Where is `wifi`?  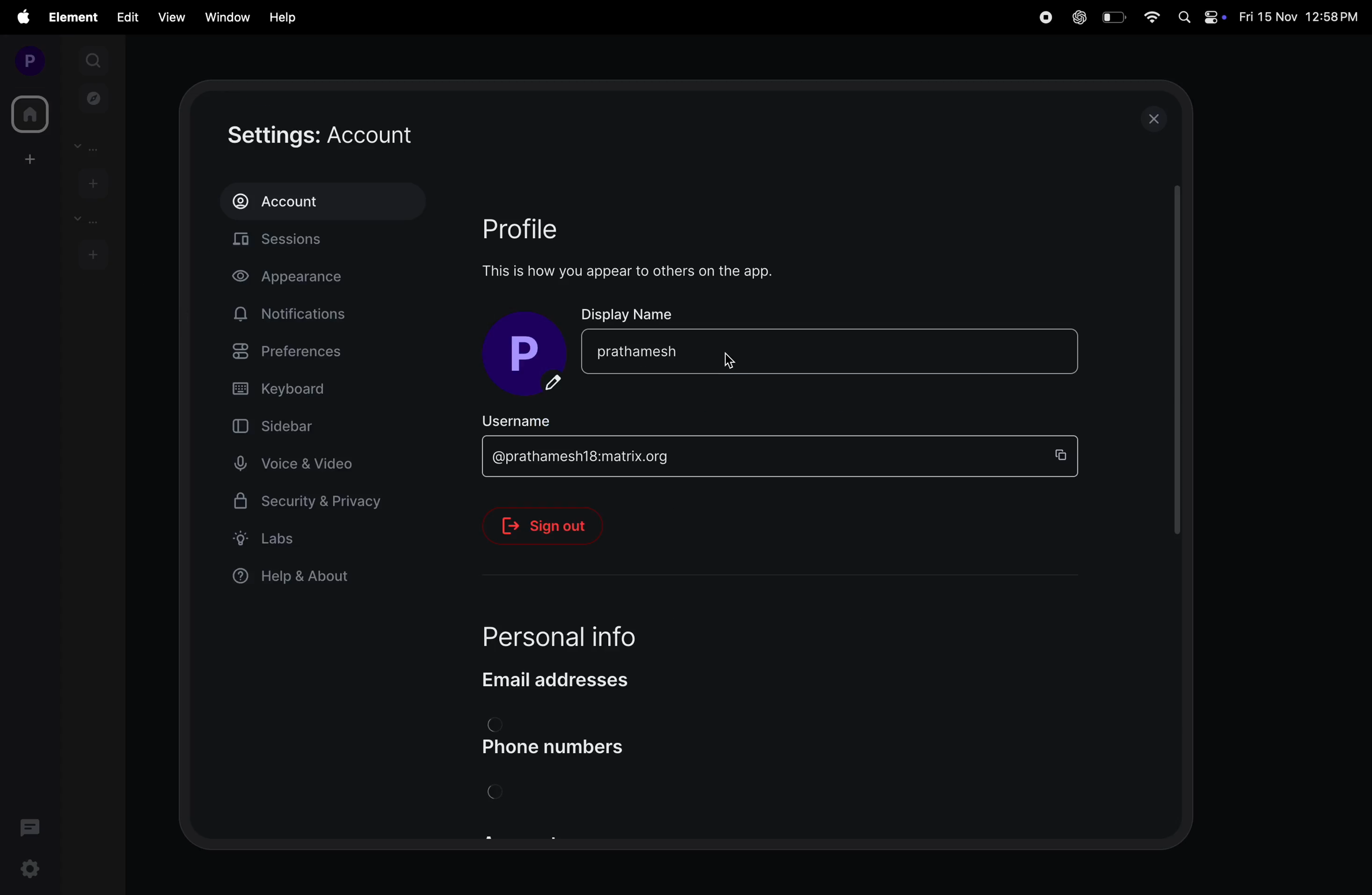 wifi is located at coordinates (1153, 18).